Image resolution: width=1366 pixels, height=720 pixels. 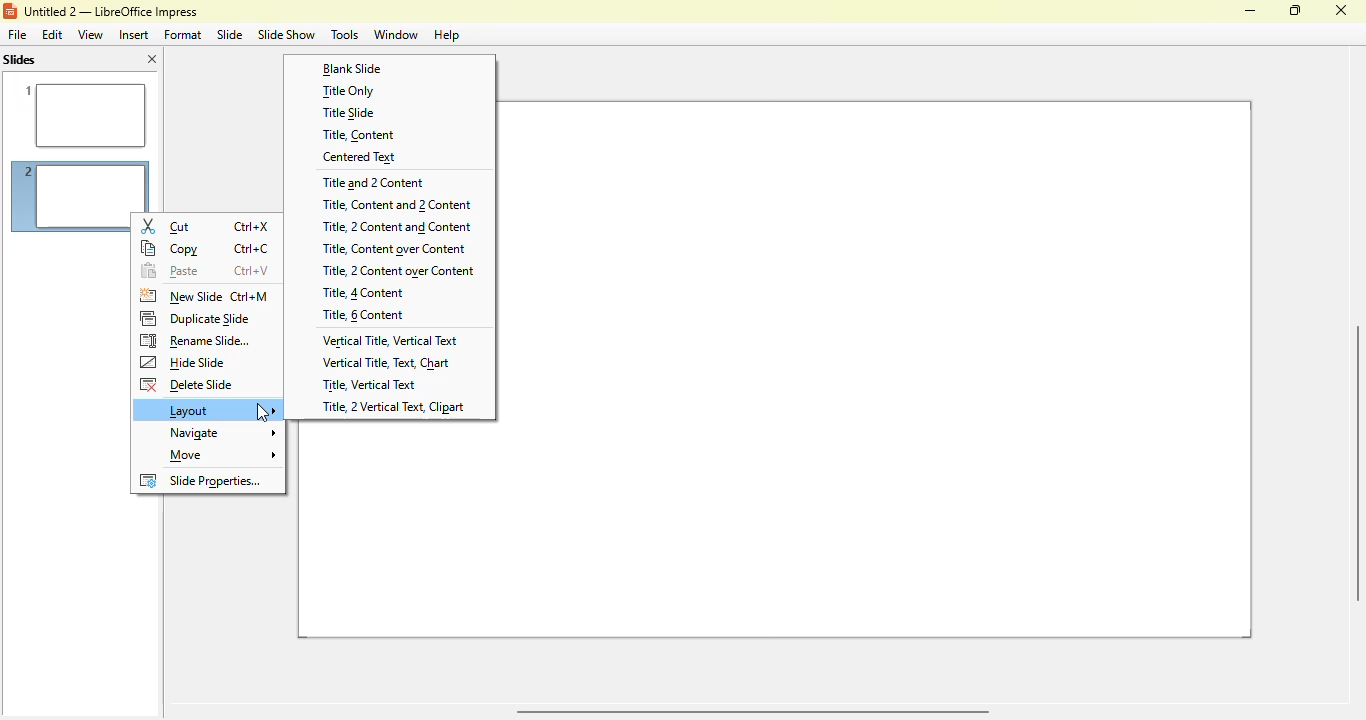 What do you see at coordinates (53, 35) in the screenshot?
I see `edit` at bounding box center [53, 35].